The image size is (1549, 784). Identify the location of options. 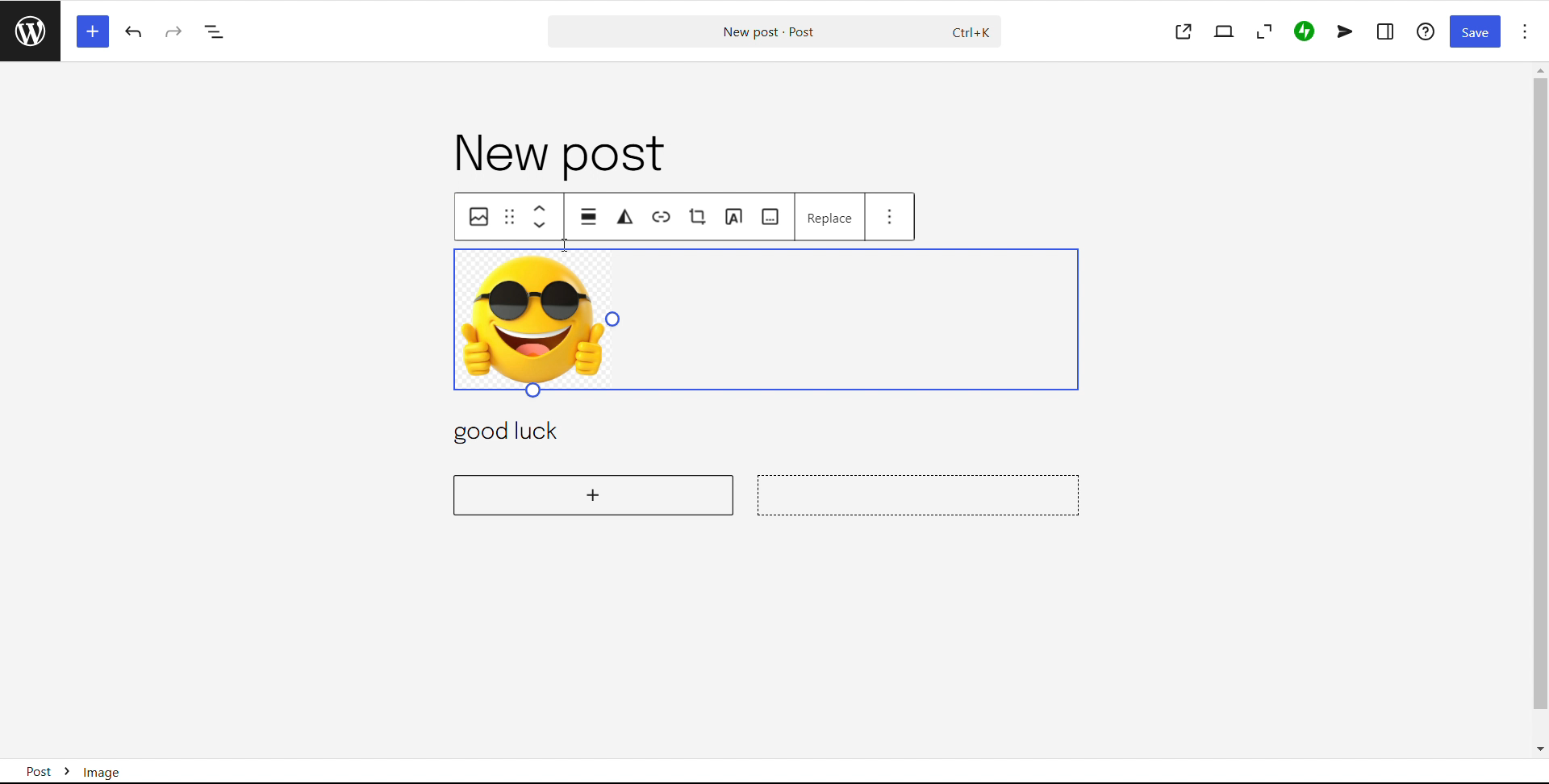
(889, 214).